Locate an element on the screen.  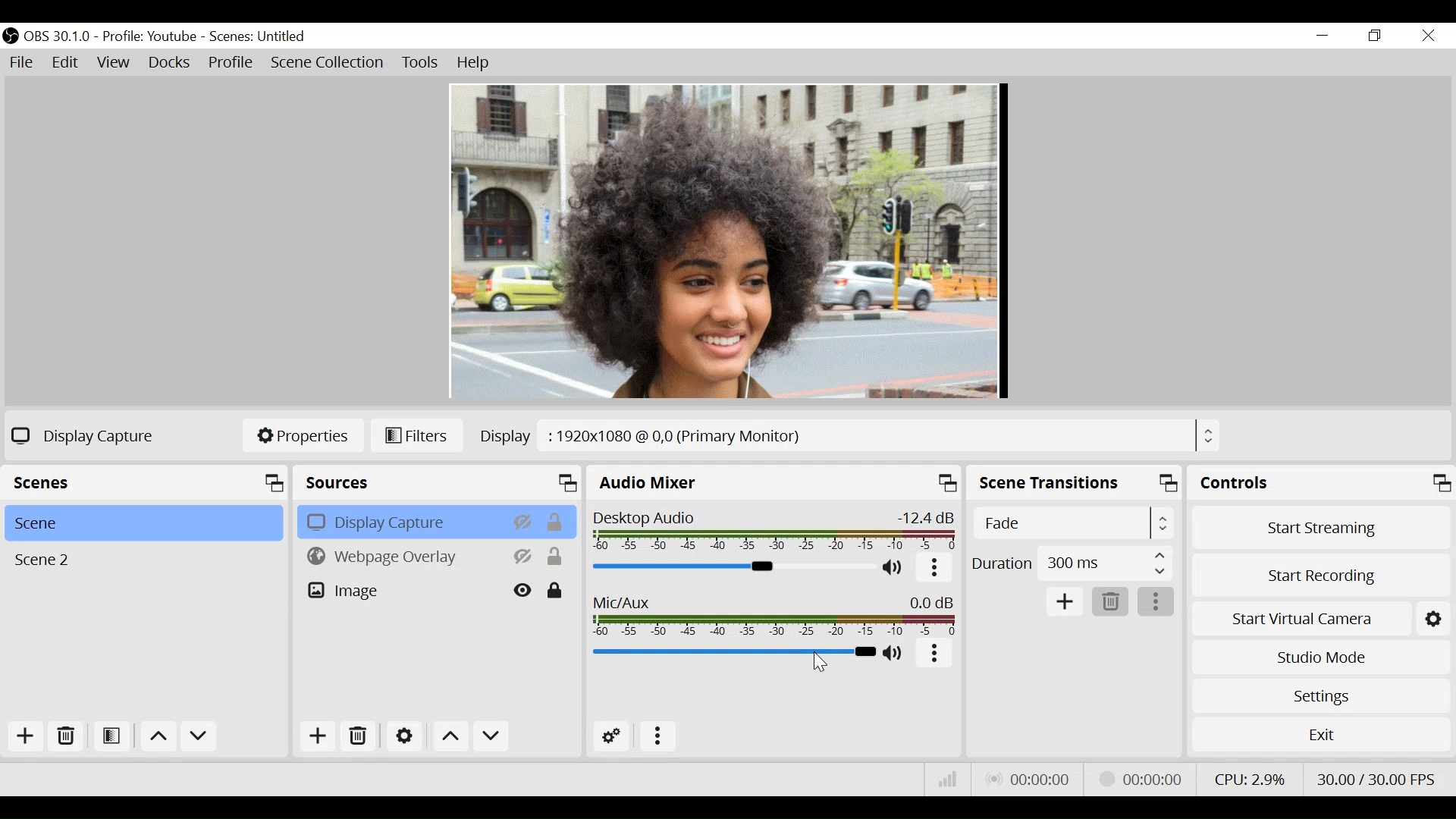
(un)mute is located at coordinates (896, 568).